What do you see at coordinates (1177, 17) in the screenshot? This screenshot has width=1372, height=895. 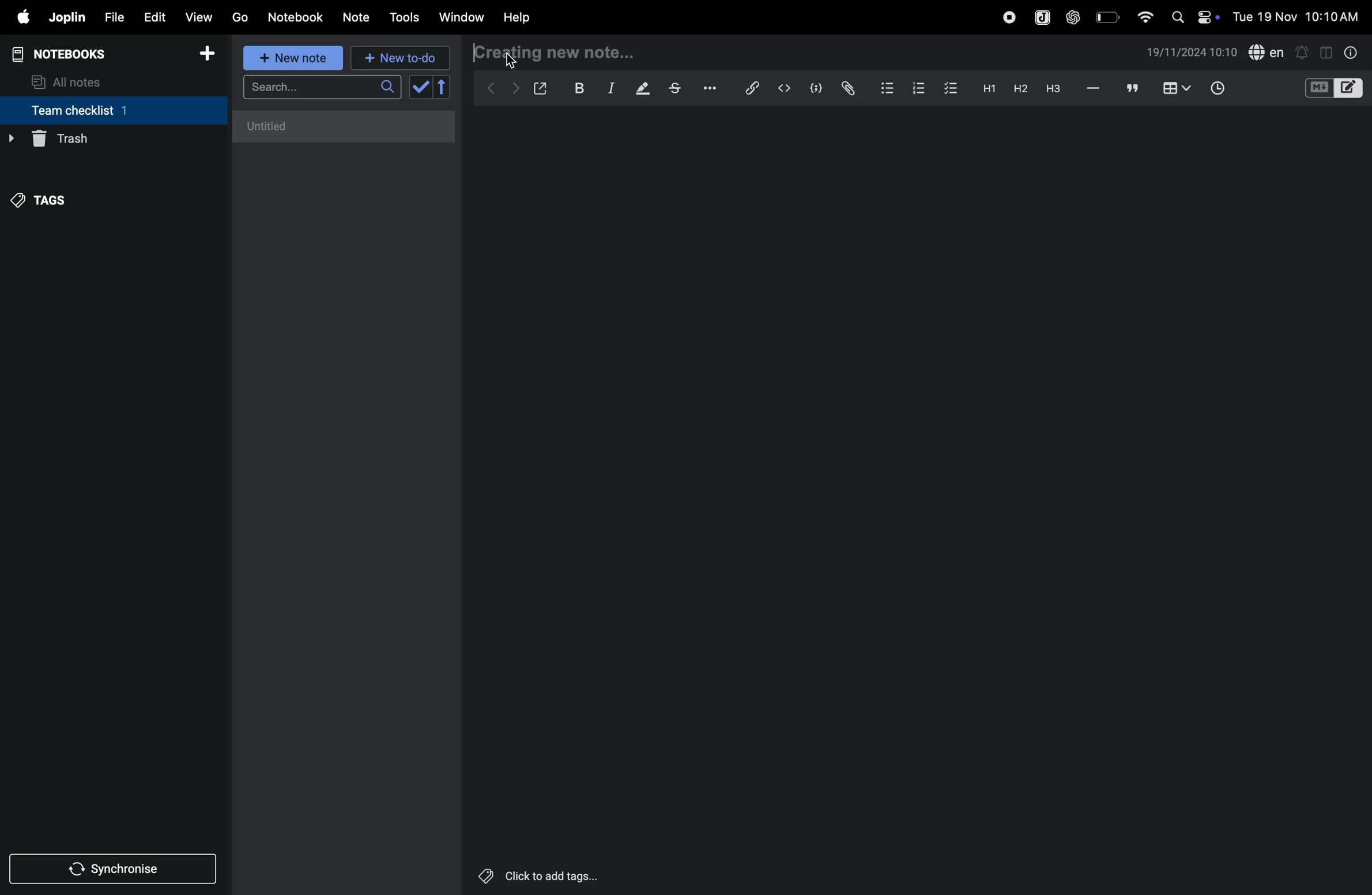 I see `search` at bounding box center [1177, 17].